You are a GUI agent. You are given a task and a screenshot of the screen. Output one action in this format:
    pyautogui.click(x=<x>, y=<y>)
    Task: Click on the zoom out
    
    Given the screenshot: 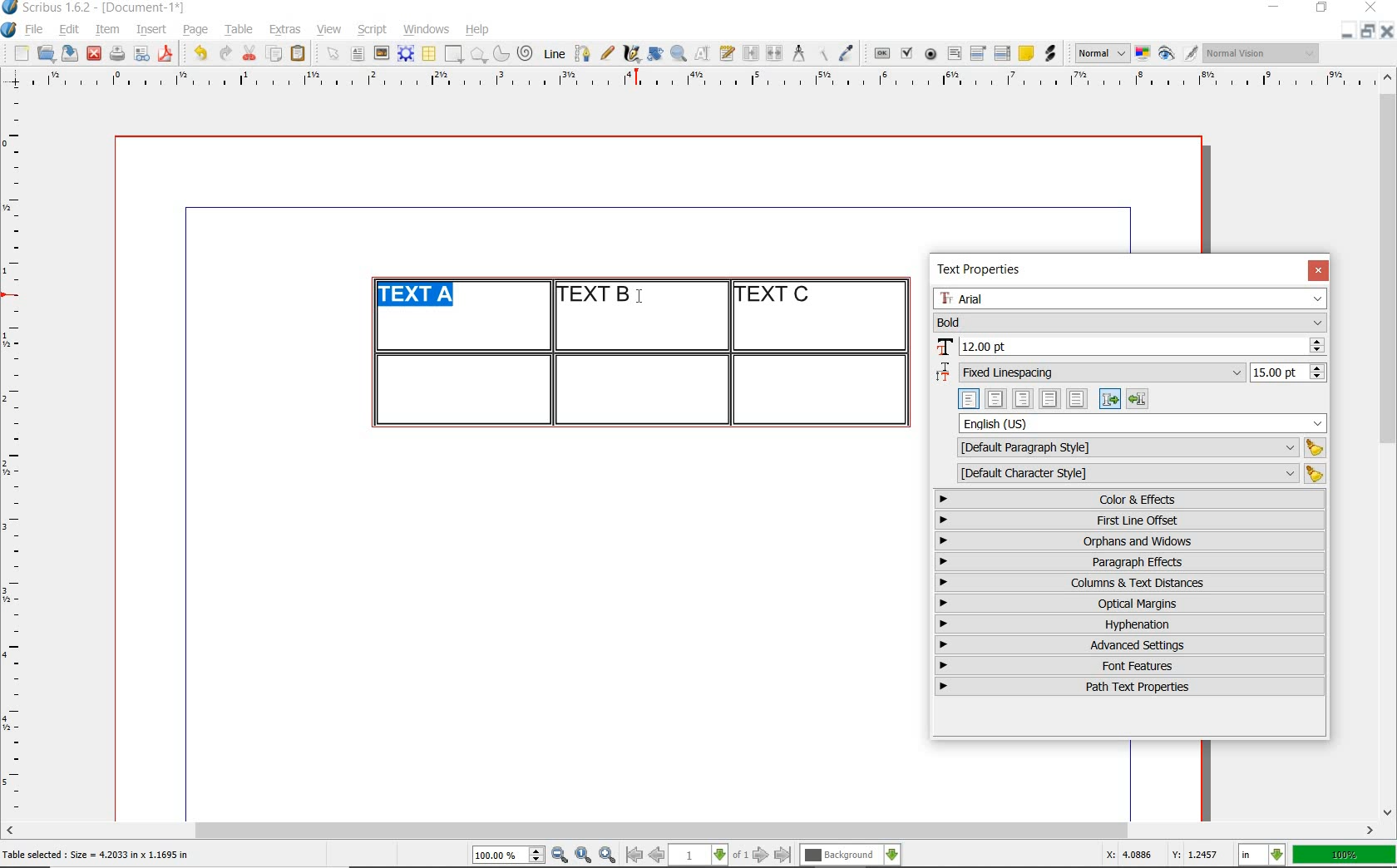 What is the action you would take?
    pyautogui.click(x=560, y=856)
    